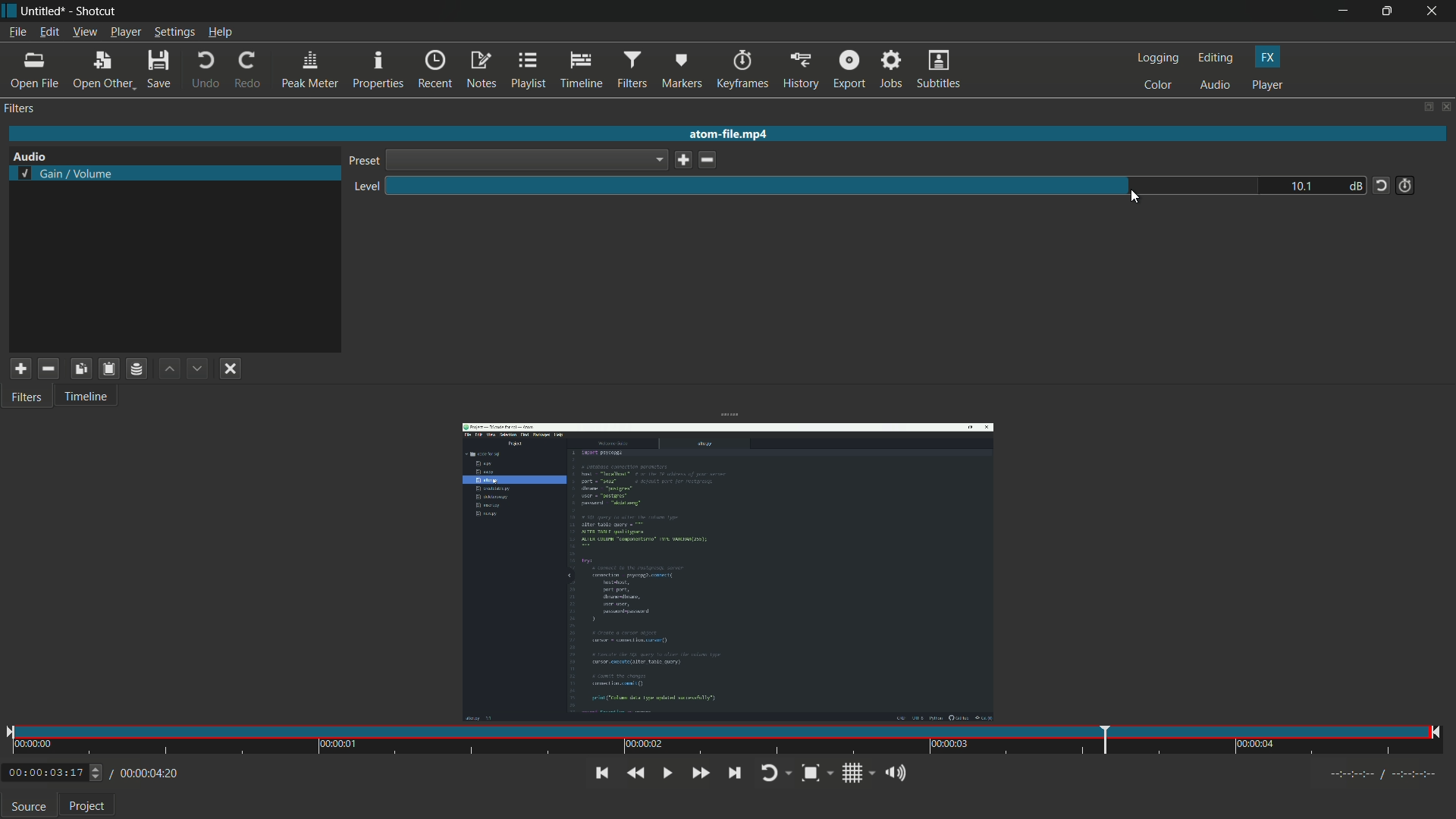  What do you see at coordinates (34, 152) in the screenshot?
I see `Audio` at bounding box center [34, 152].